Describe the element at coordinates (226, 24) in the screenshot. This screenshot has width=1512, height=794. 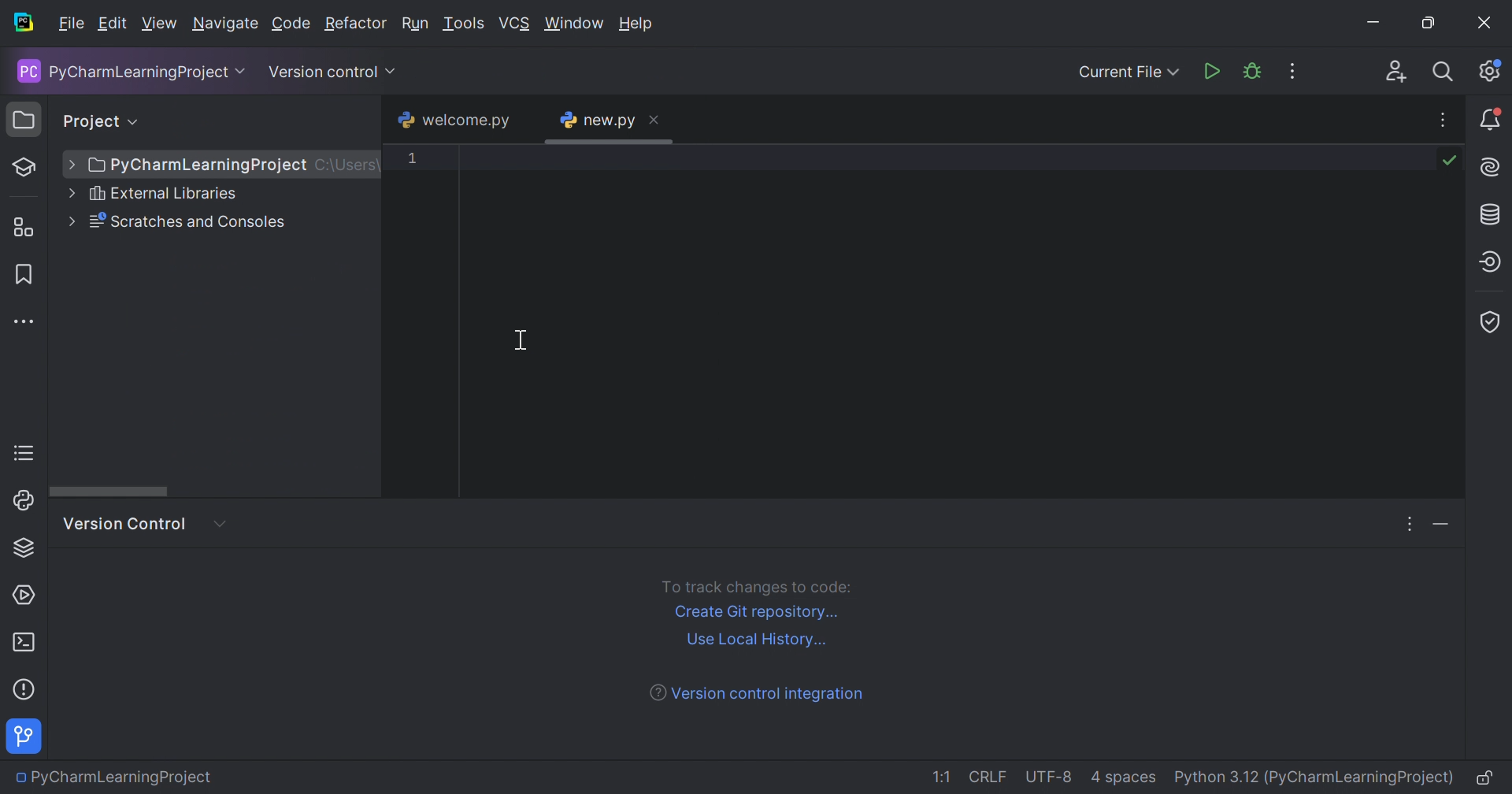
I see `Navigate` at that location.